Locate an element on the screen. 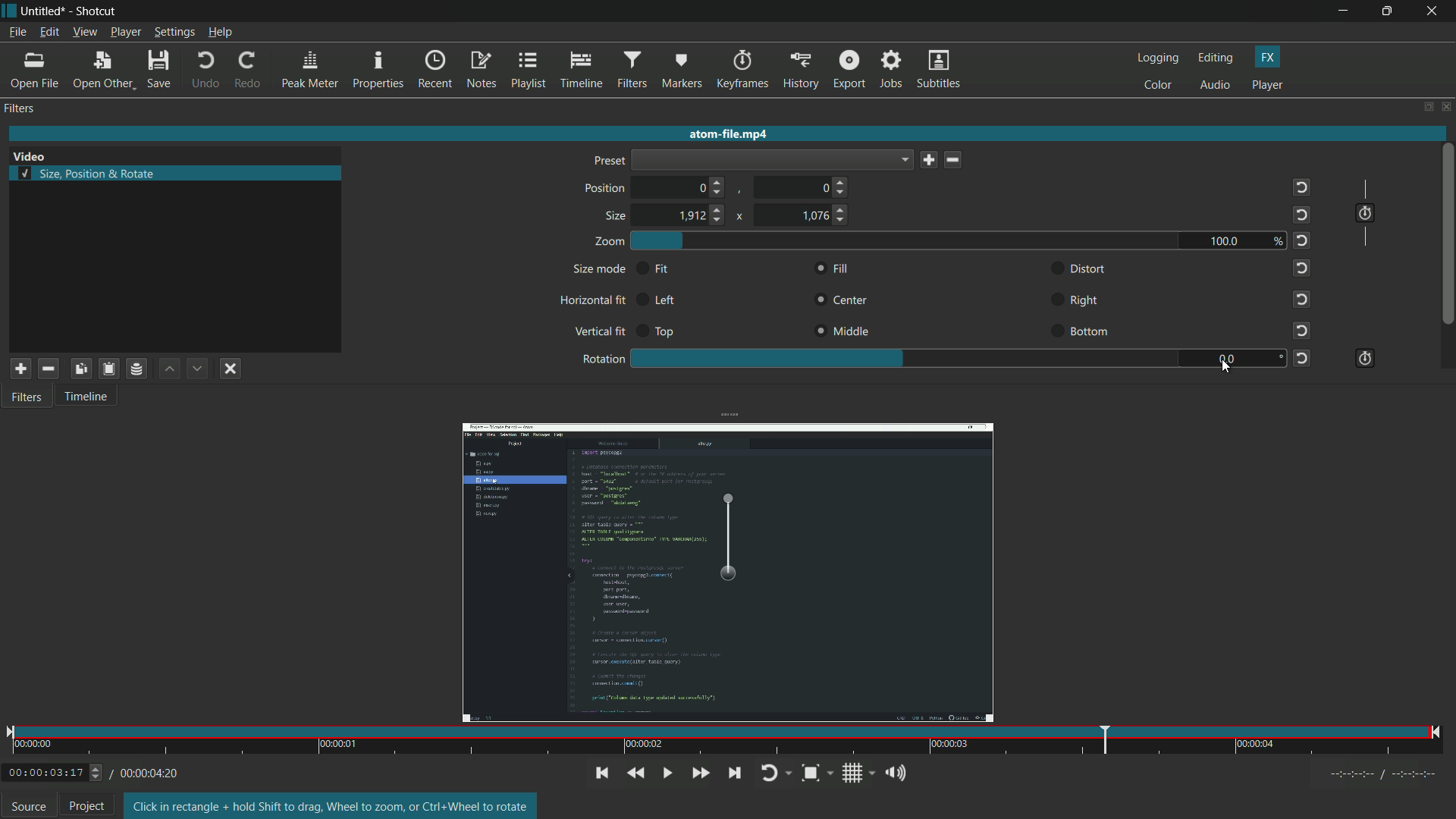 The image size is (1456, 819). open other is located at coordinates (99, 71).